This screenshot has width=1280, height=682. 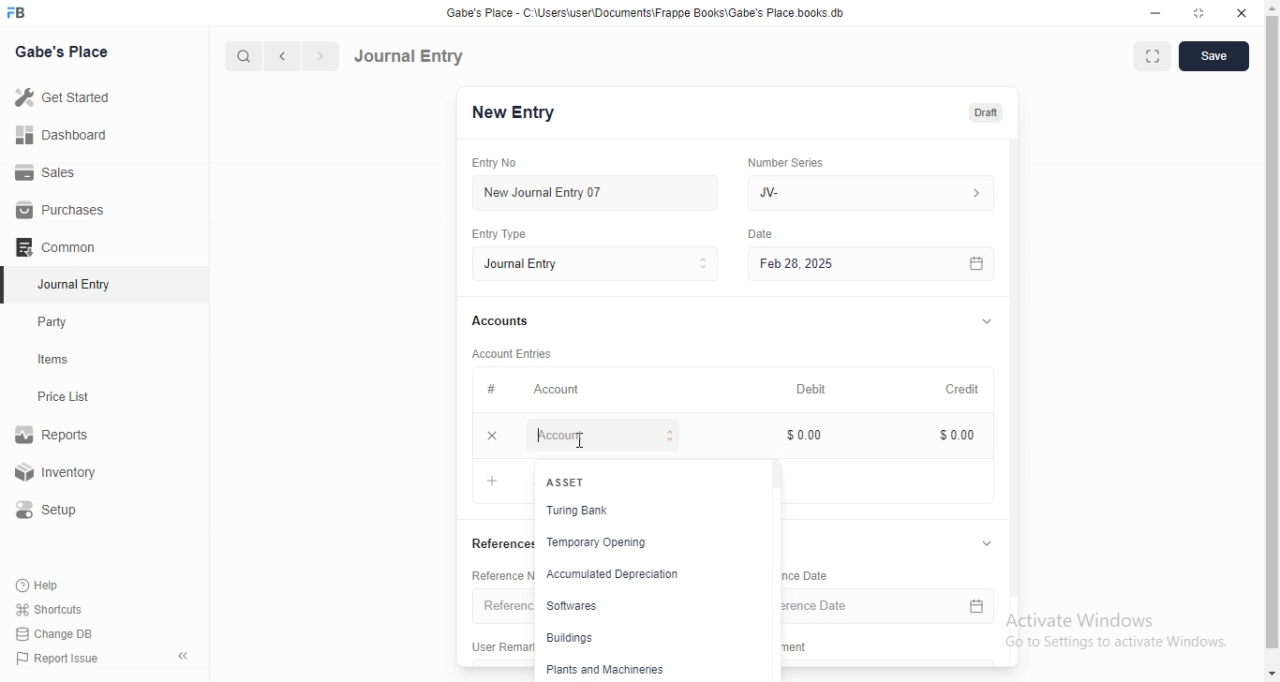 What do you see at coordinates (77, 284) in the screenshot?
I see `‘Journal Entry` at bounding box center [77, 284].